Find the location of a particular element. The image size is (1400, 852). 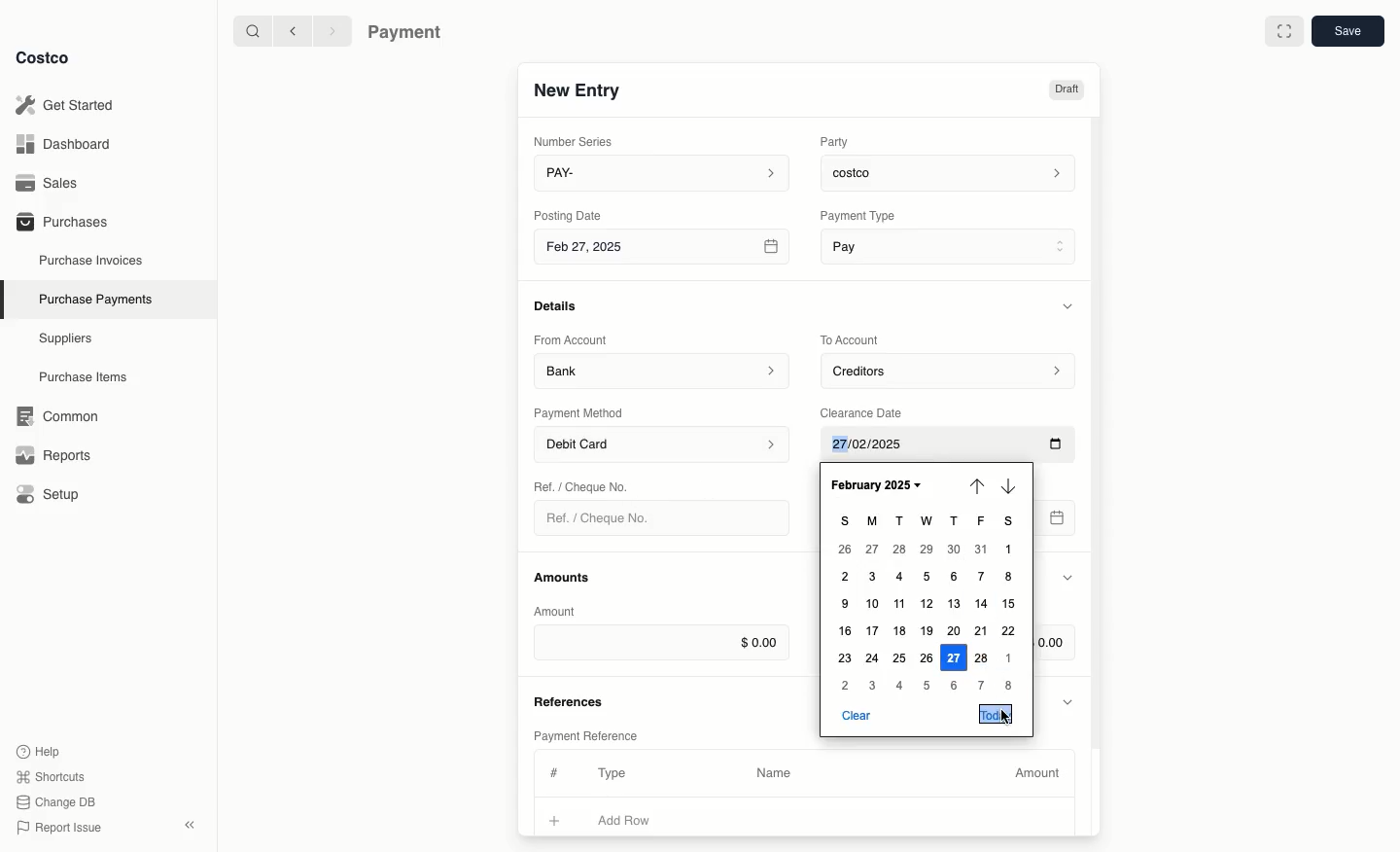

February 2025 is located at coordinates (874, 484).